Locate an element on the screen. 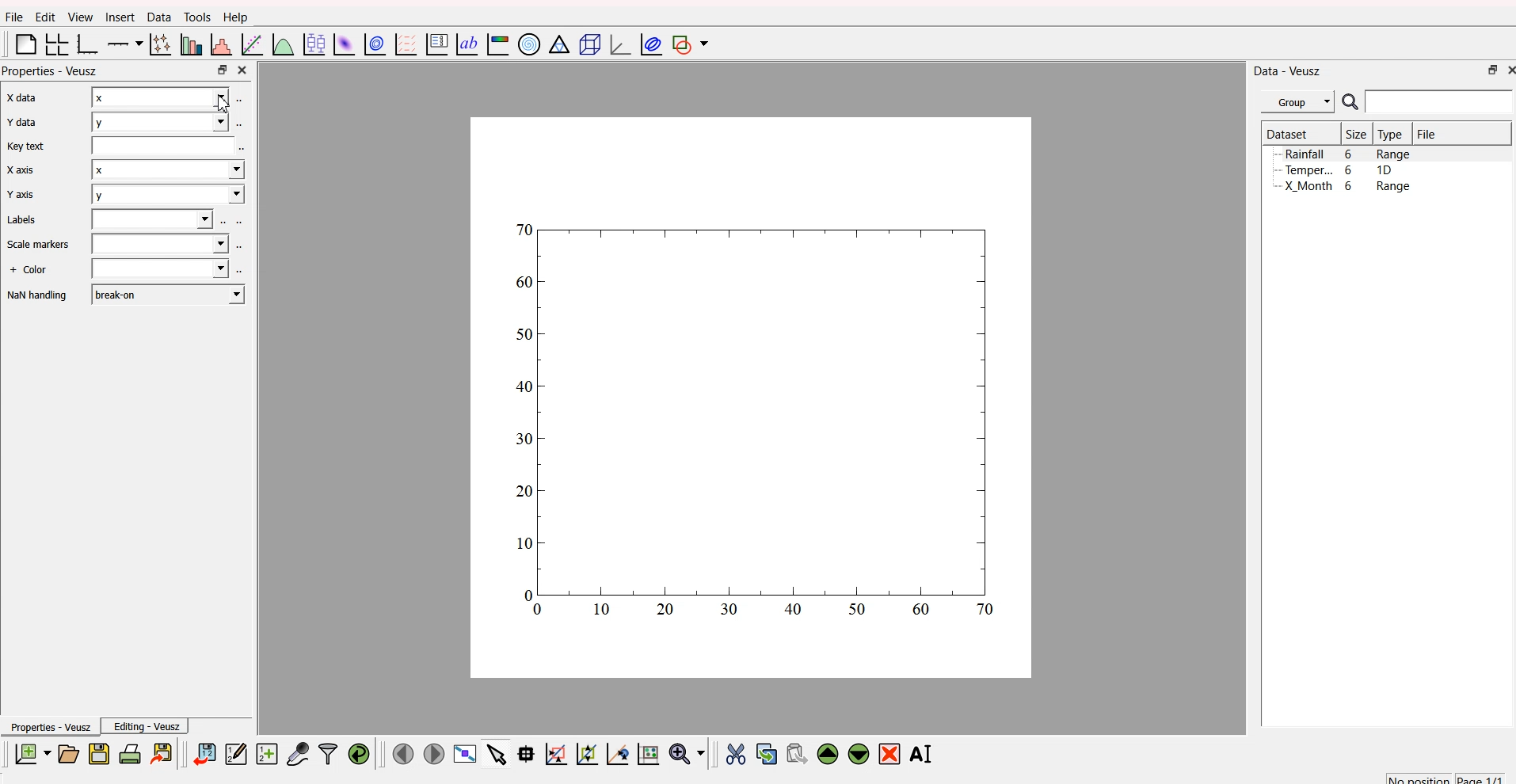  Dataset is located at coordinates (1287, 133).